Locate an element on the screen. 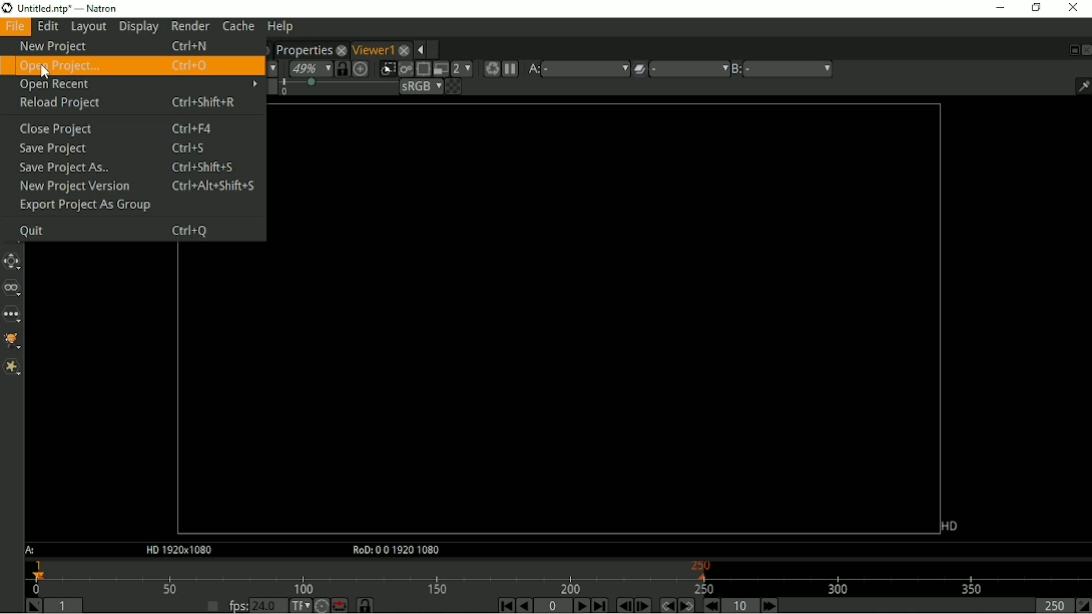  menu is located at coordinates (689, 69).